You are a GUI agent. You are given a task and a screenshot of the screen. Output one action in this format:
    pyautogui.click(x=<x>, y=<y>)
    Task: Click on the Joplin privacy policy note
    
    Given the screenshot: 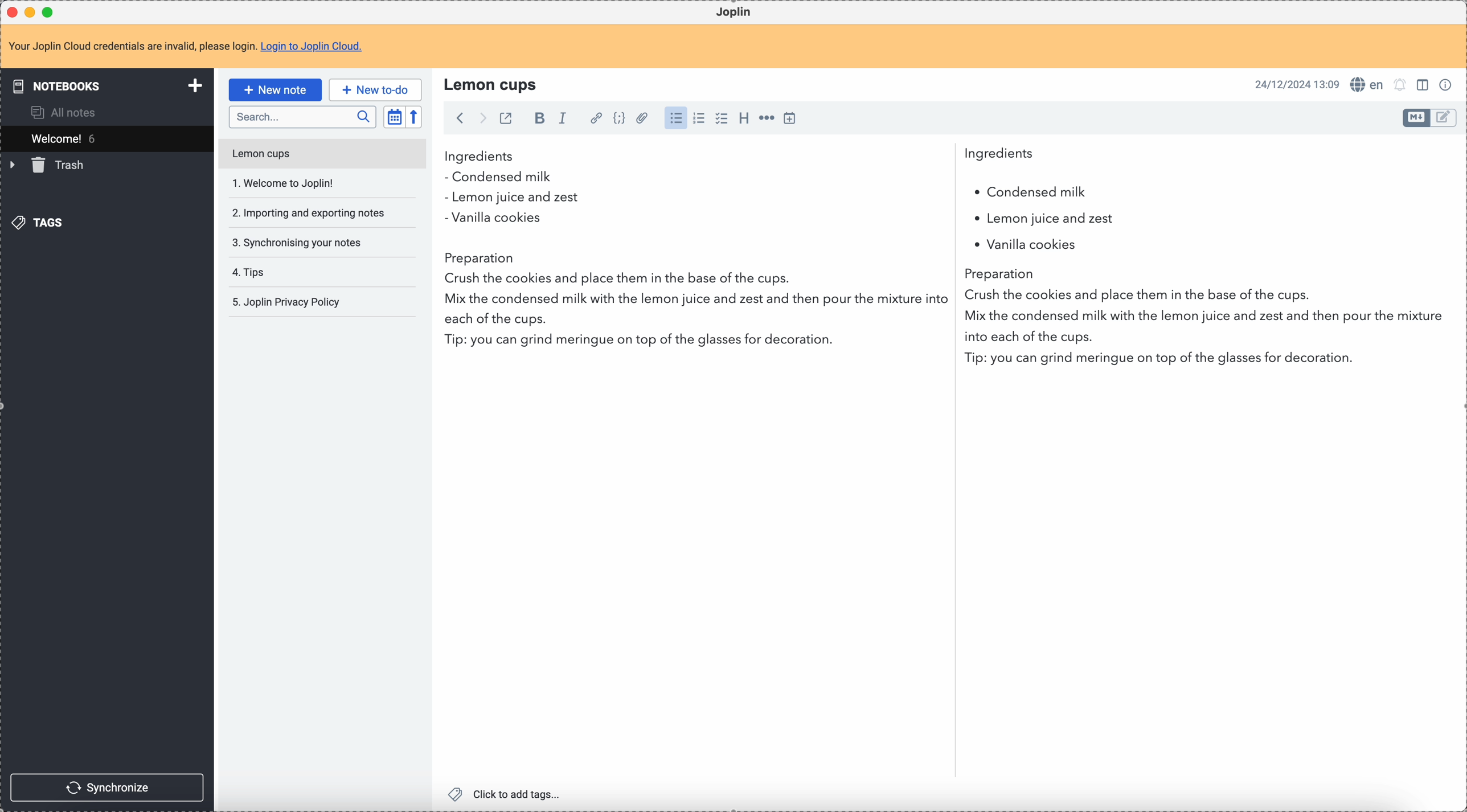 What is the action you would take?
    pyautogui.click(x=289, y=302)
    